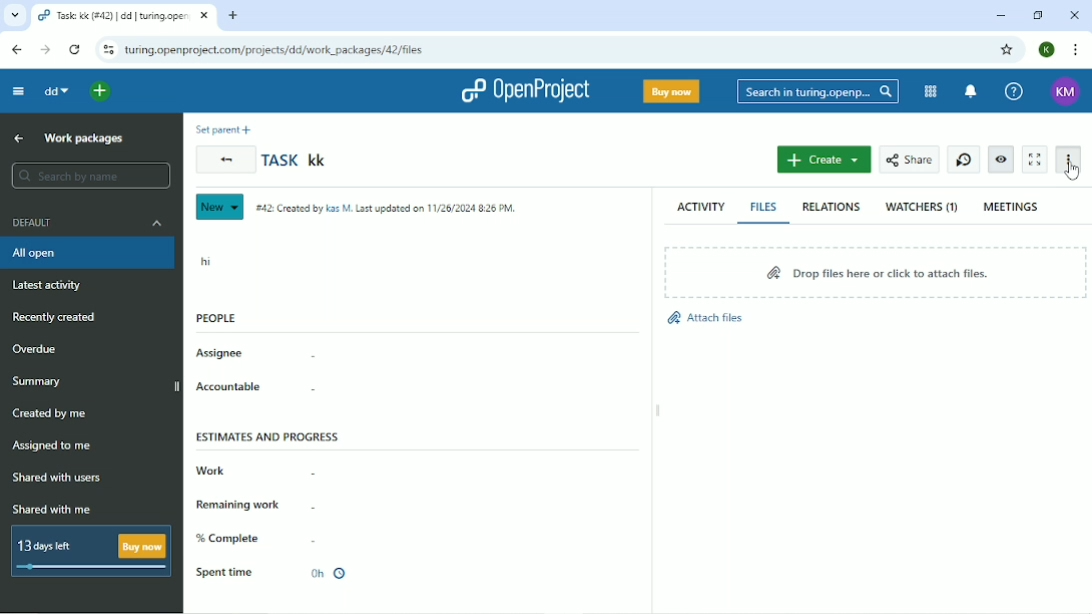 This screenshot has width=1092, height=614. What do you see at coordinates (53, 413) in the screenshot?
I see `Created by me` at bounding box center [53, 413].